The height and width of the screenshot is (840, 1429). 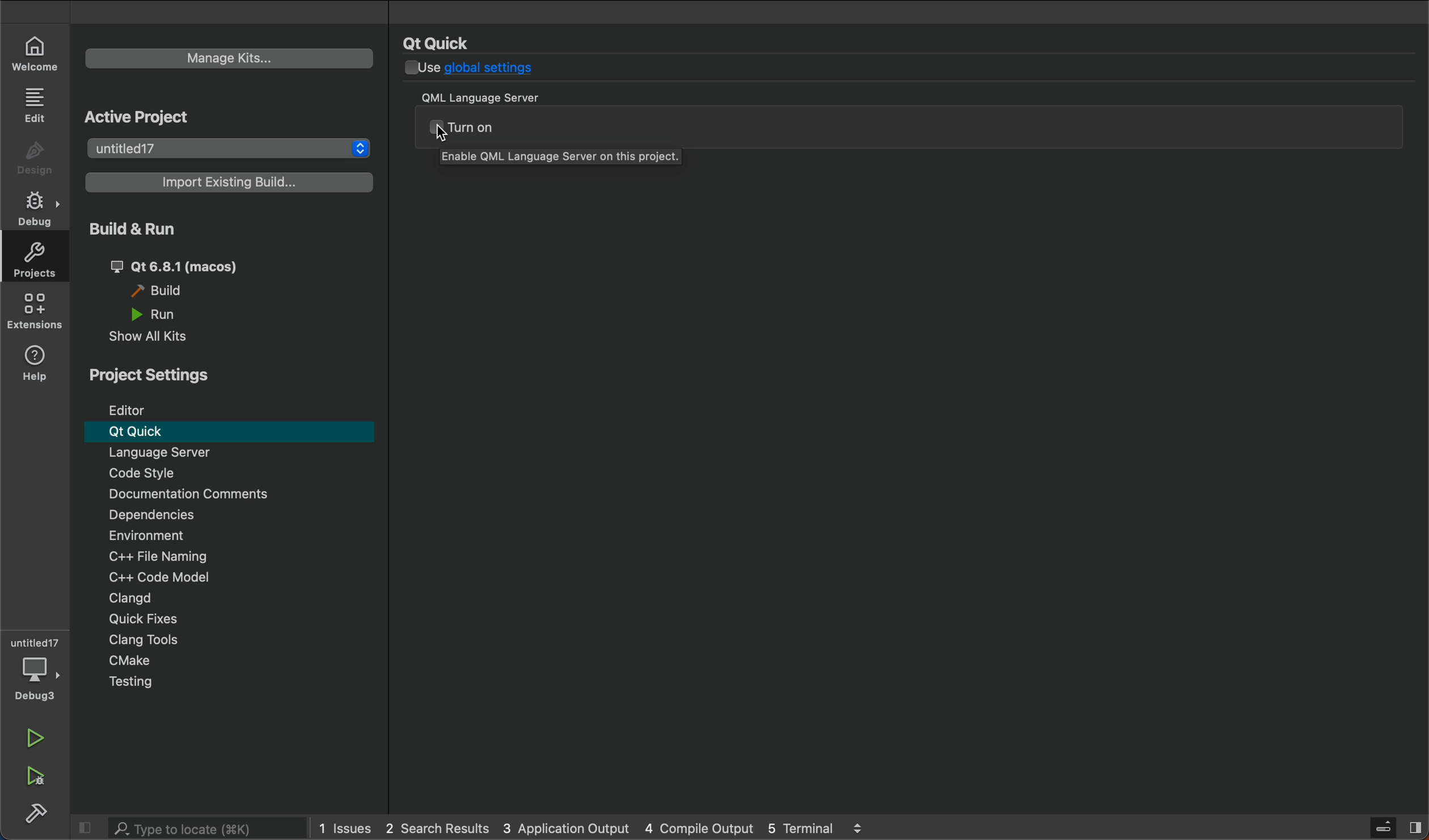 What do you see at coordinates (347, 831) in the screenshot?
I see `issues` at bounding box center [347, 831].